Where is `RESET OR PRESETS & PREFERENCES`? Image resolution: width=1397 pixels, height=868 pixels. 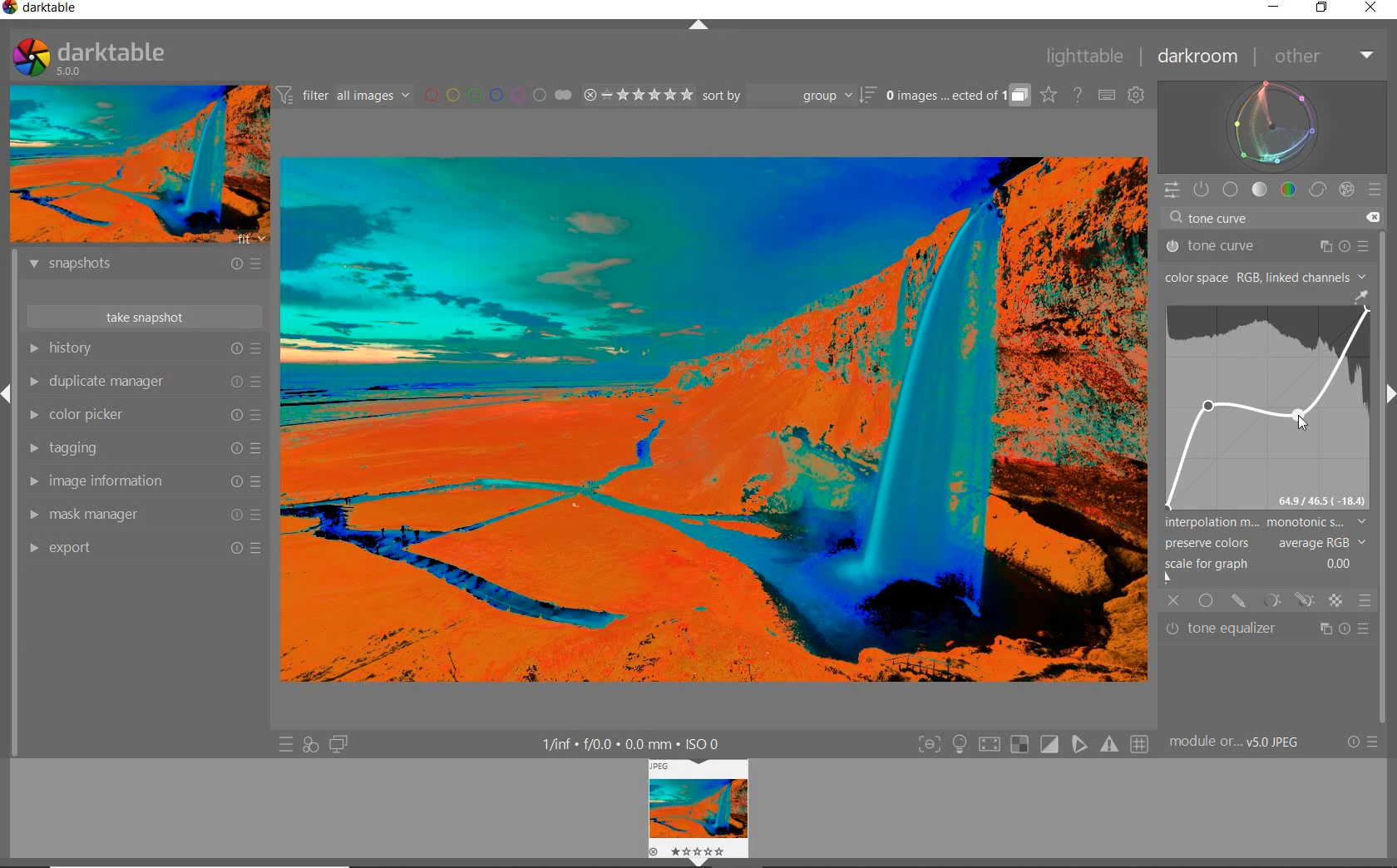
RESET OR PRESETS & PREFERENCES is located at coordinates (1362, 743).